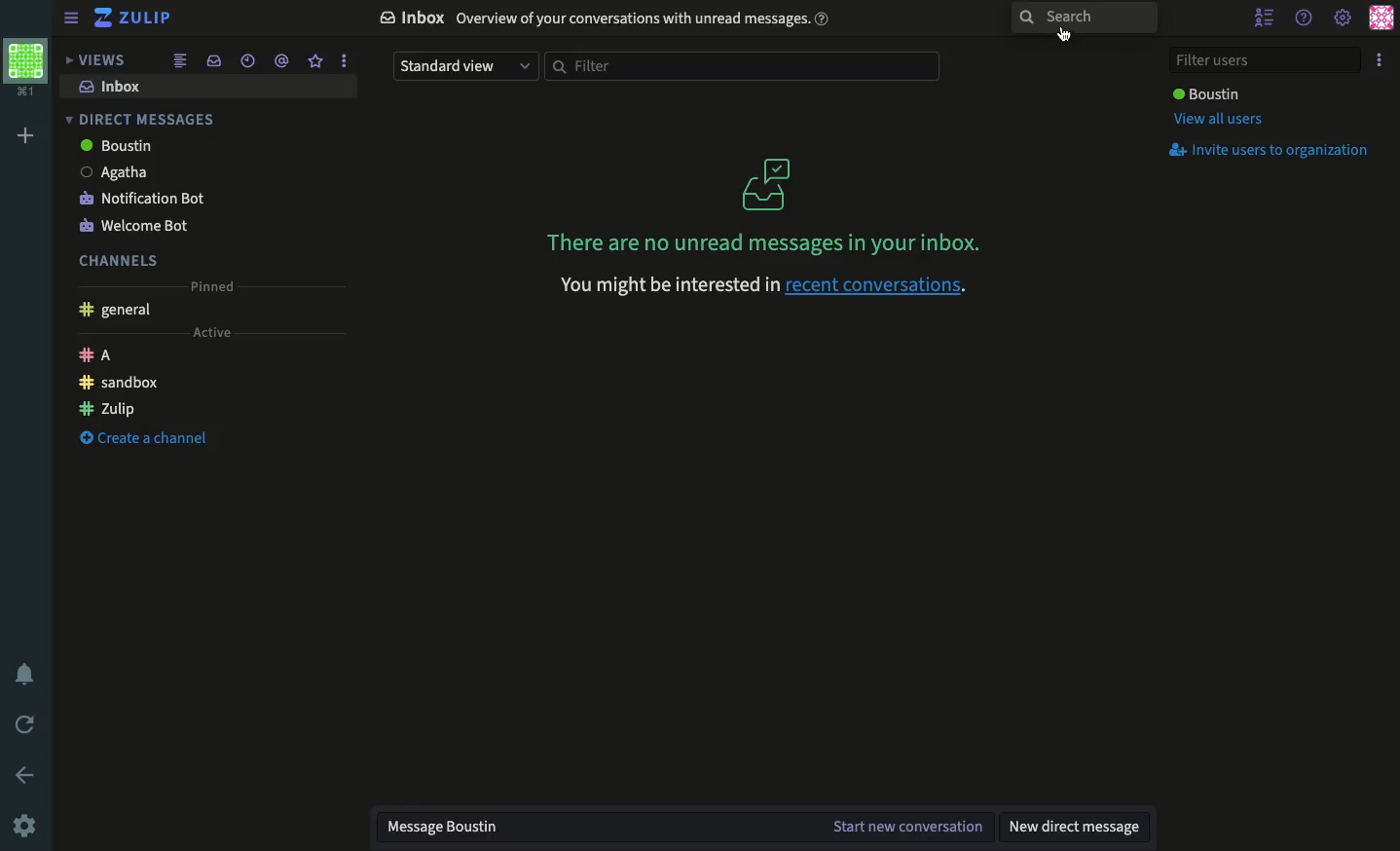 The image size is (1400, 851). What do you see at coordinates (1380, 61) in the screenshot?
I see `Options` at bounding box center [1380, 61].